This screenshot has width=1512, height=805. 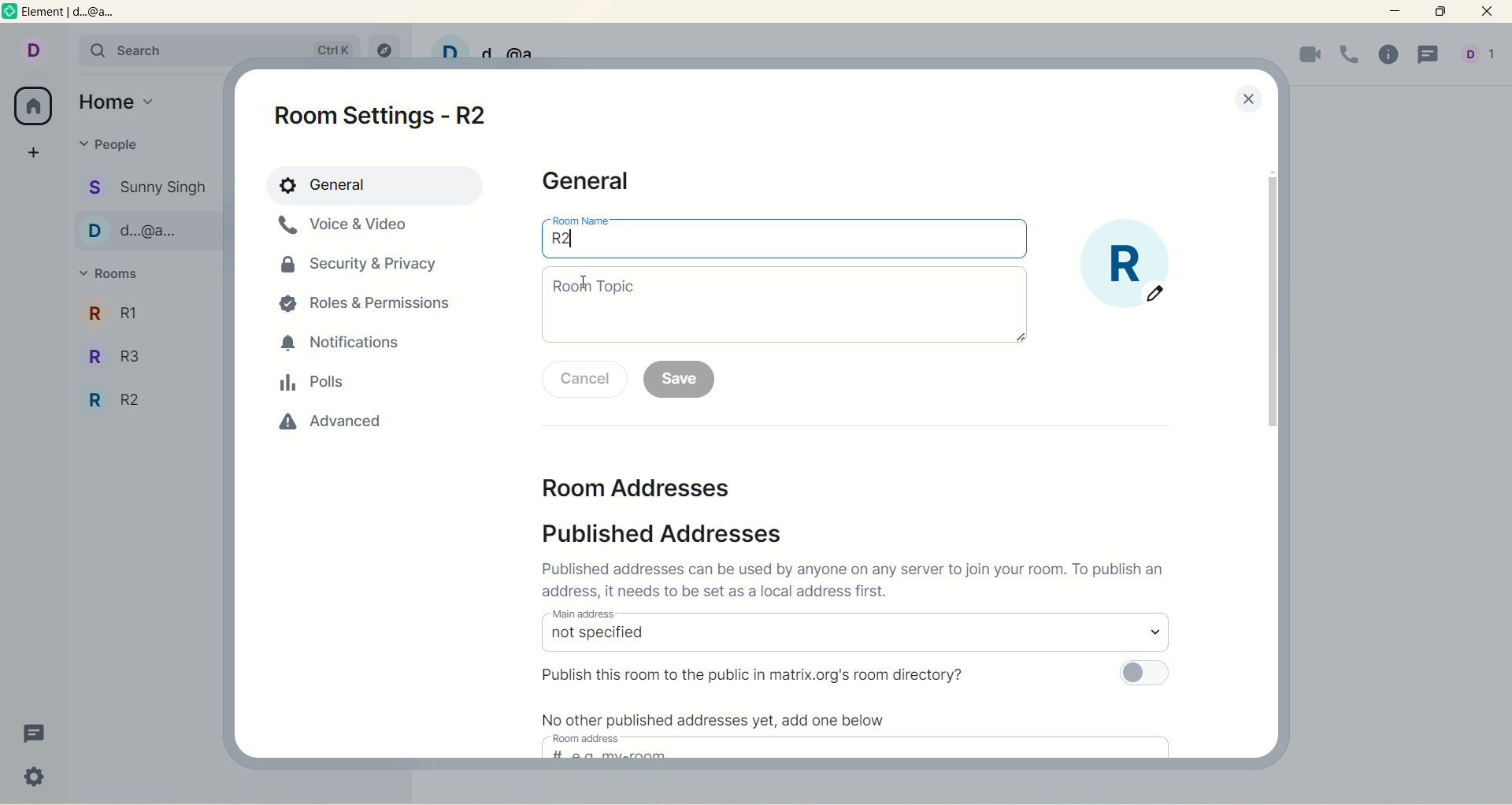 I want to click on text cursor, so click(x=587, y=277).